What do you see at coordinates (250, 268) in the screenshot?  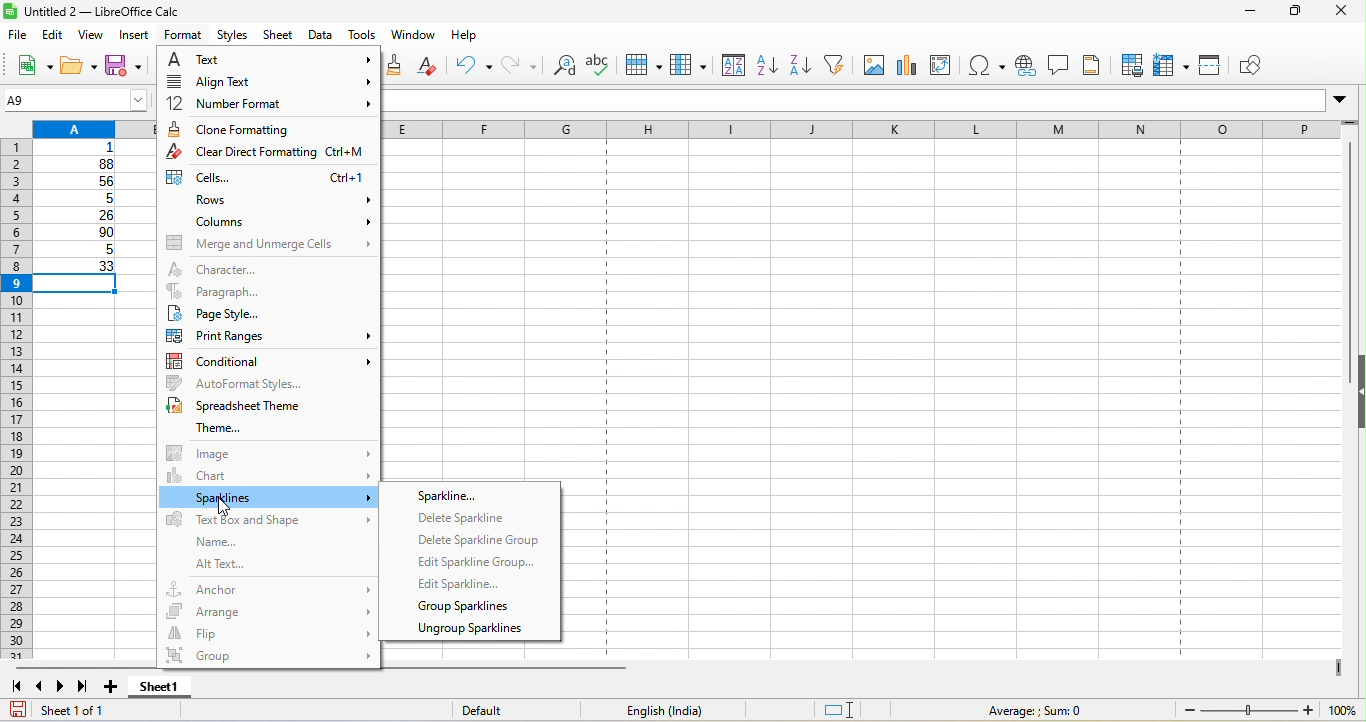 I see `character` at bounding box center [250, 268].